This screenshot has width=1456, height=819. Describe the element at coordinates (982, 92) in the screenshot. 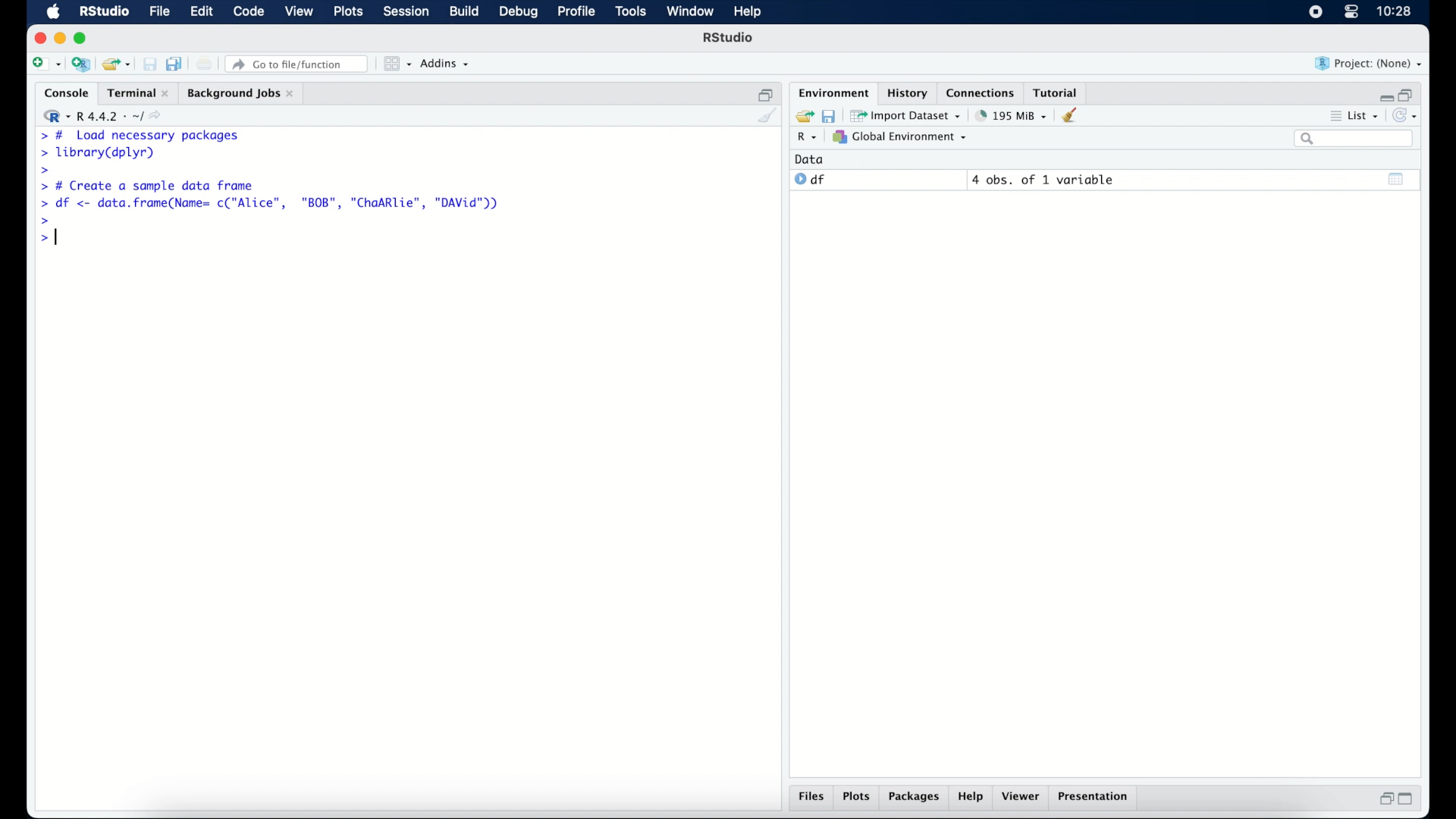

I see `connections` at that location.